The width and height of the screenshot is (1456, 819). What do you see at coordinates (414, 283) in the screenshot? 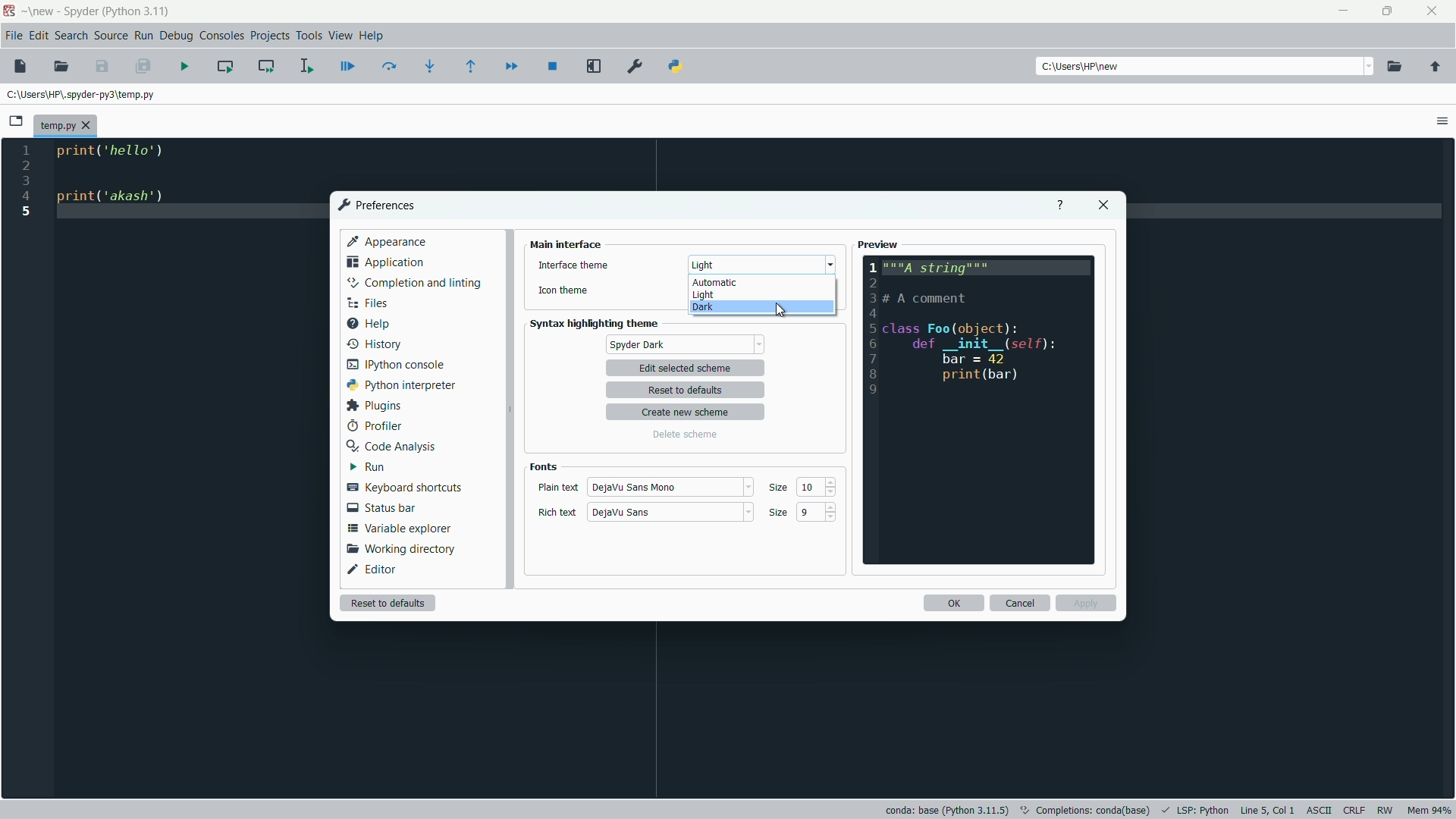
I see `completion and linting` at bounding box center [414, 283].